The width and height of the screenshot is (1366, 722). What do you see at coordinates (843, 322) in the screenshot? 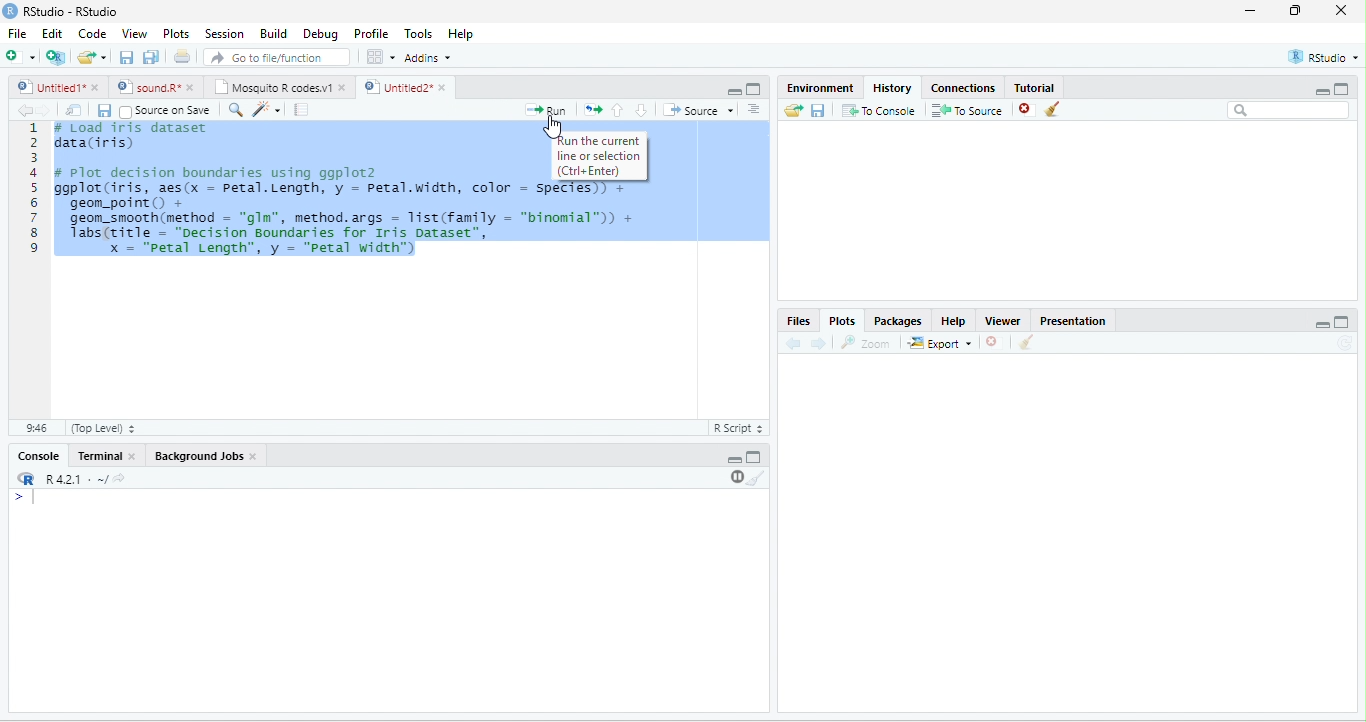
I see `Plots` at bounding box center [843, 322].